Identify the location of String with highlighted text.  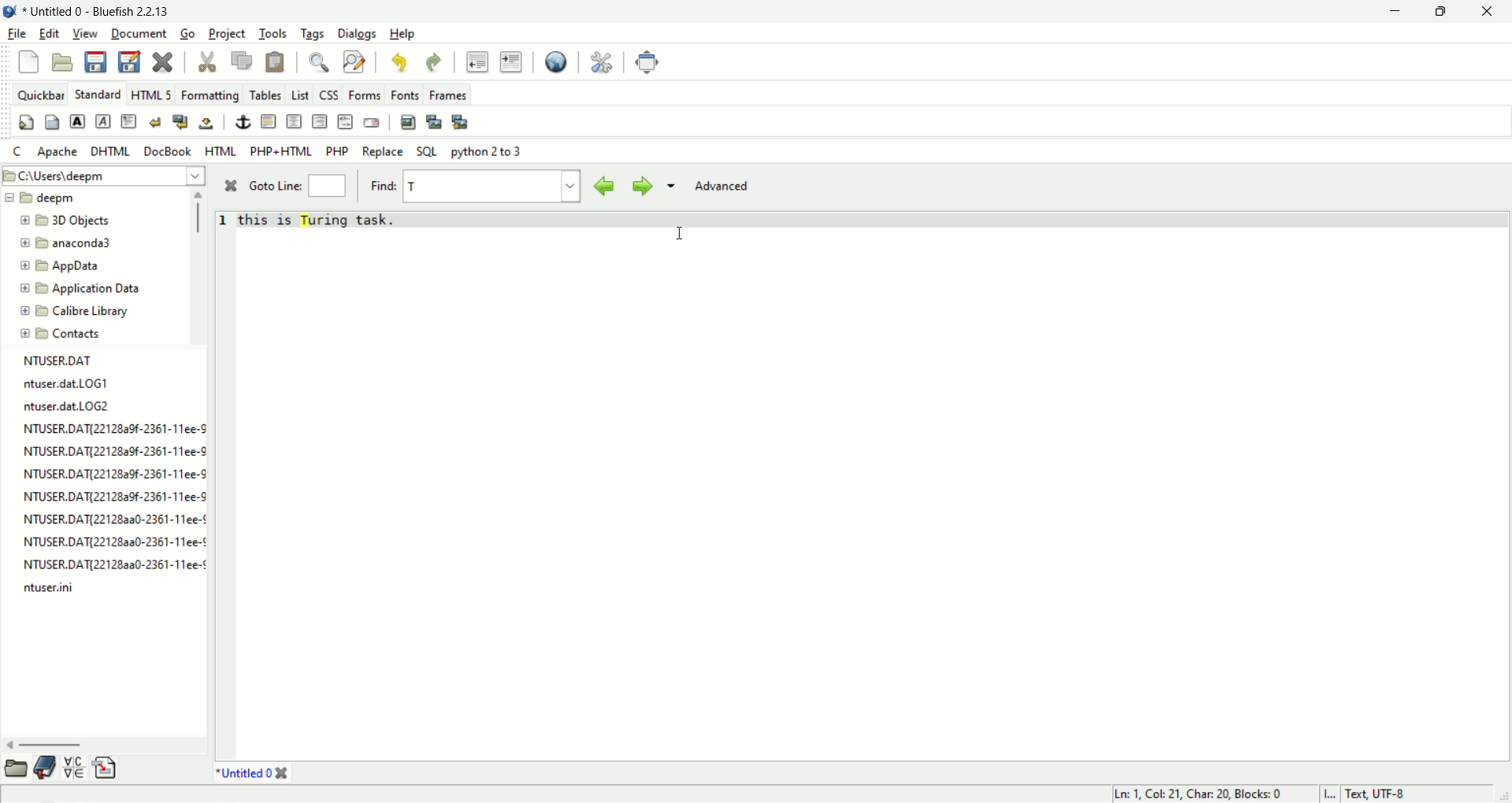
(322, 220).